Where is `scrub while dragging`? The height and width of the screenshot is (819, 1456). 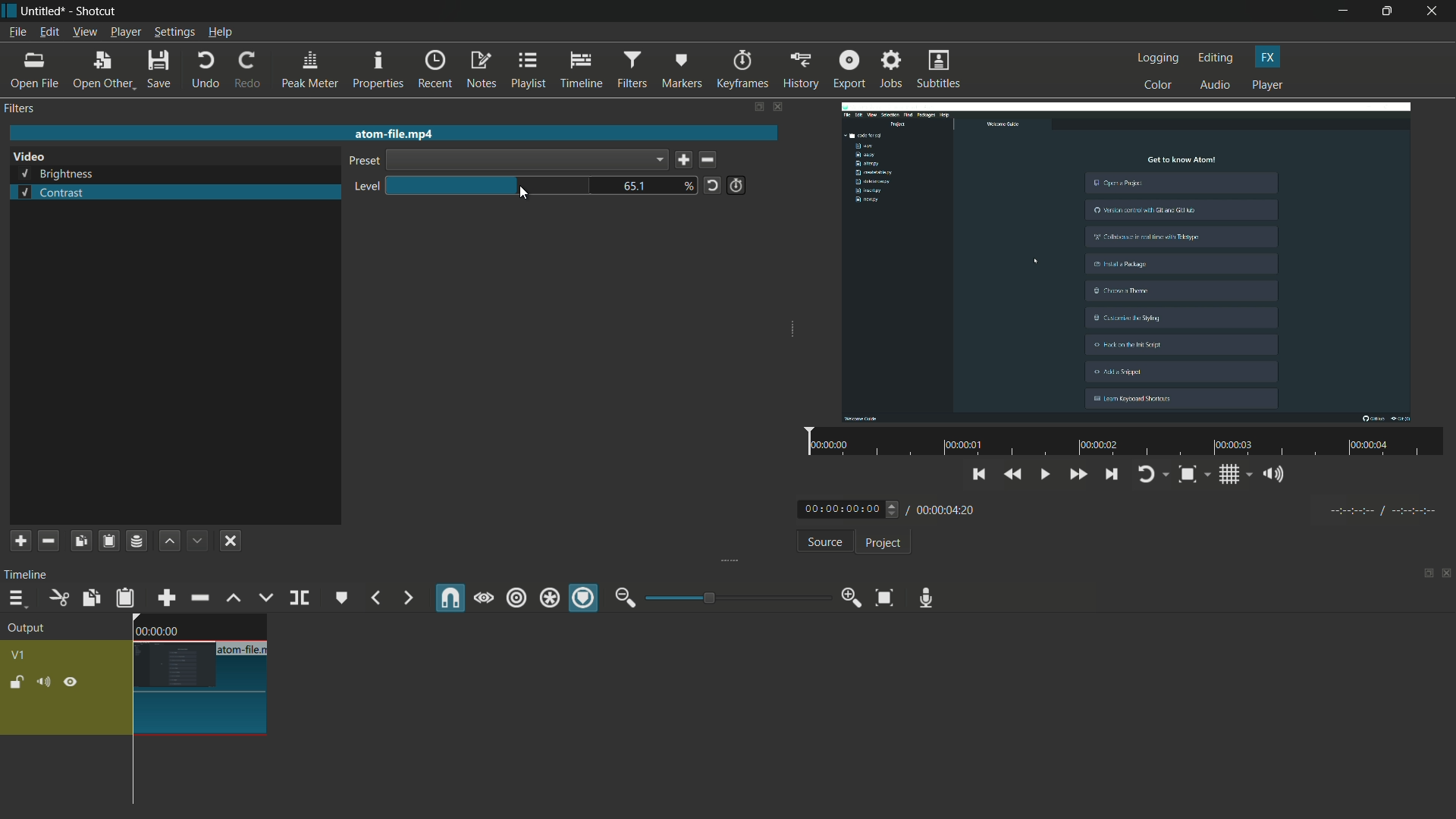
scrub while dragging is located at coordinates (483, 598).